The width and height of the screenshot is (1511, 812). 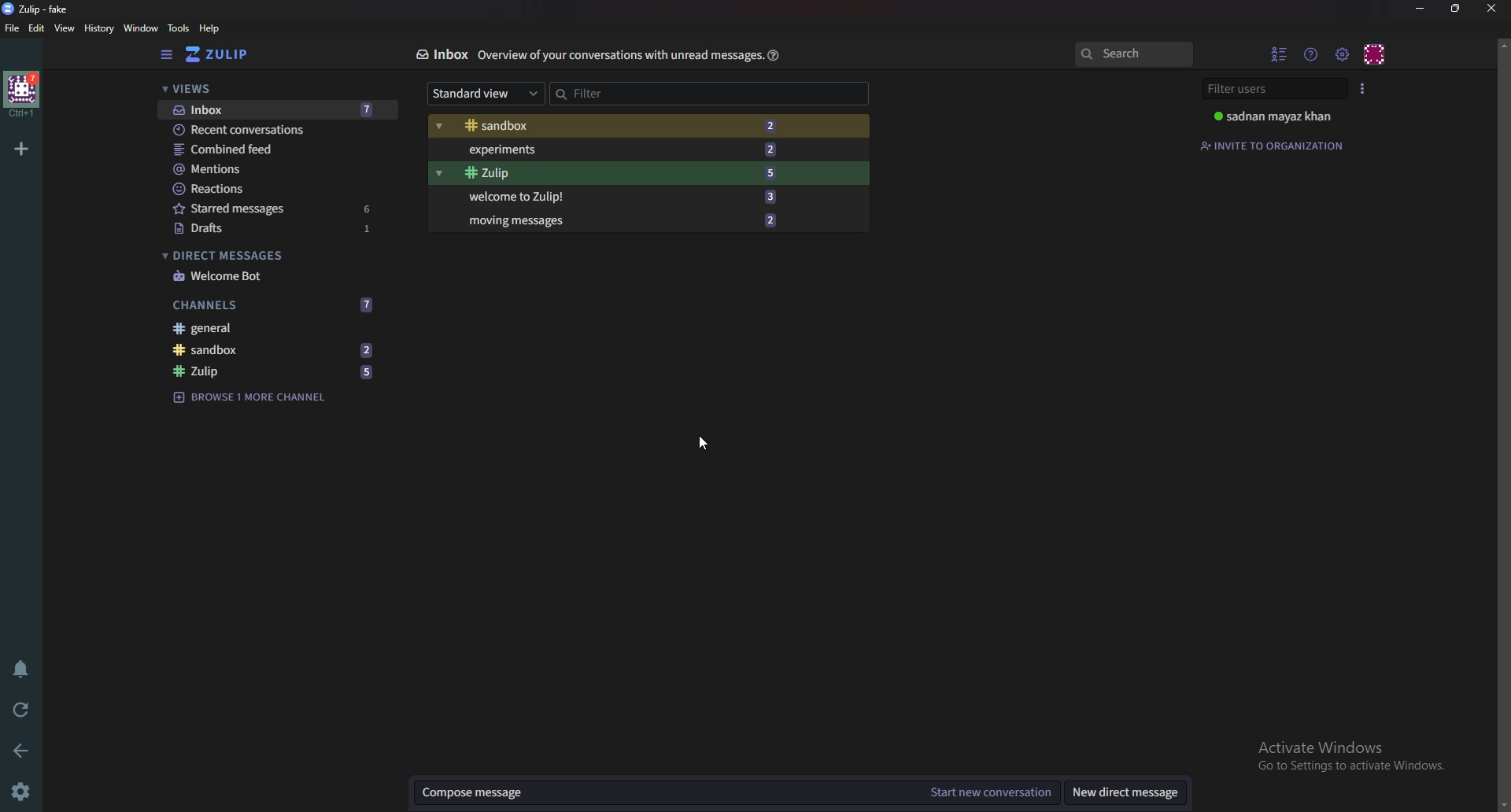 I want to click on Help menu, so click(x=1311, y=54).